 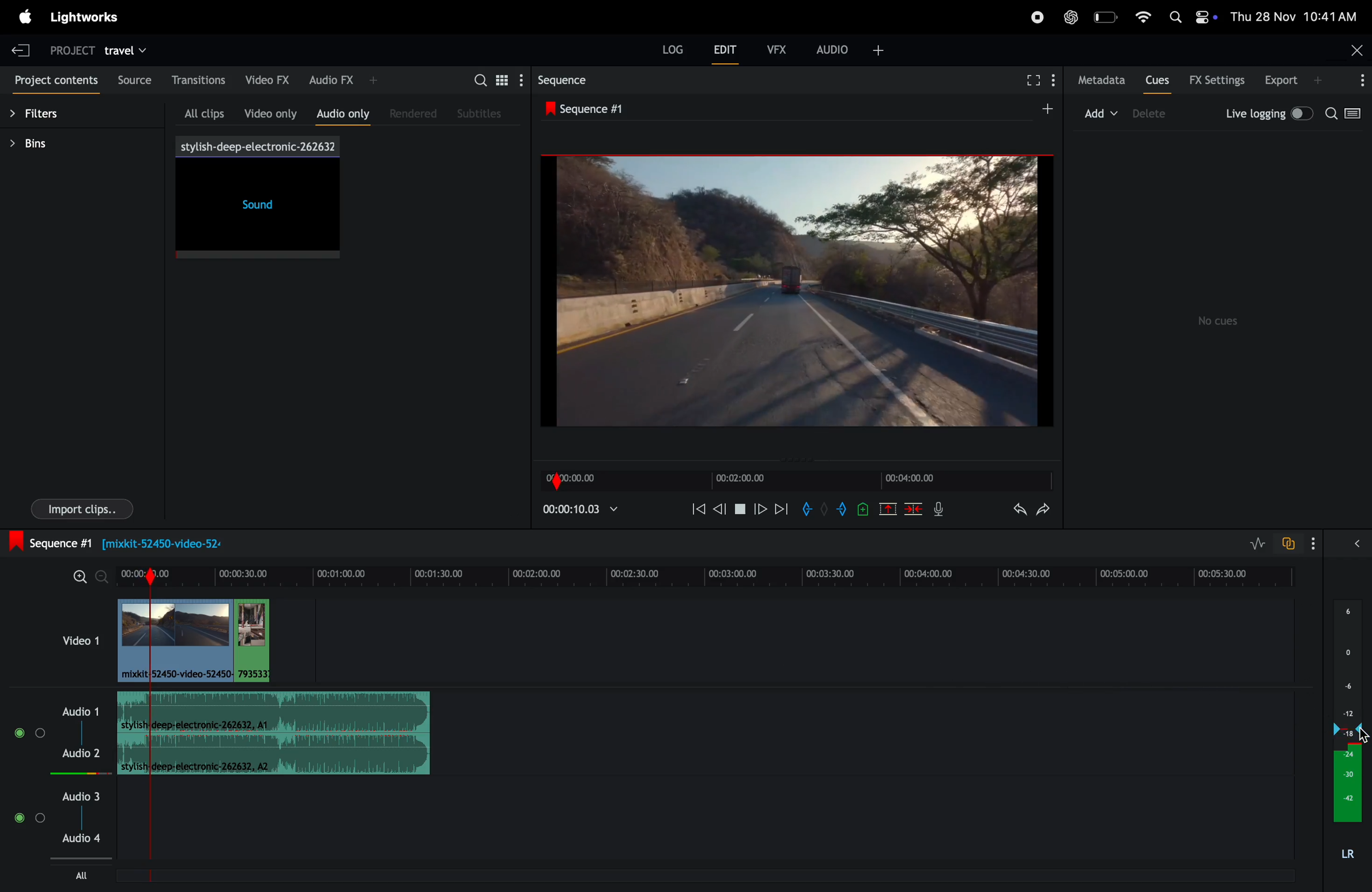 What do you see at coordinates (922, 480) in the screenshot?
I see `frame time` at bounding box center [922, 480].